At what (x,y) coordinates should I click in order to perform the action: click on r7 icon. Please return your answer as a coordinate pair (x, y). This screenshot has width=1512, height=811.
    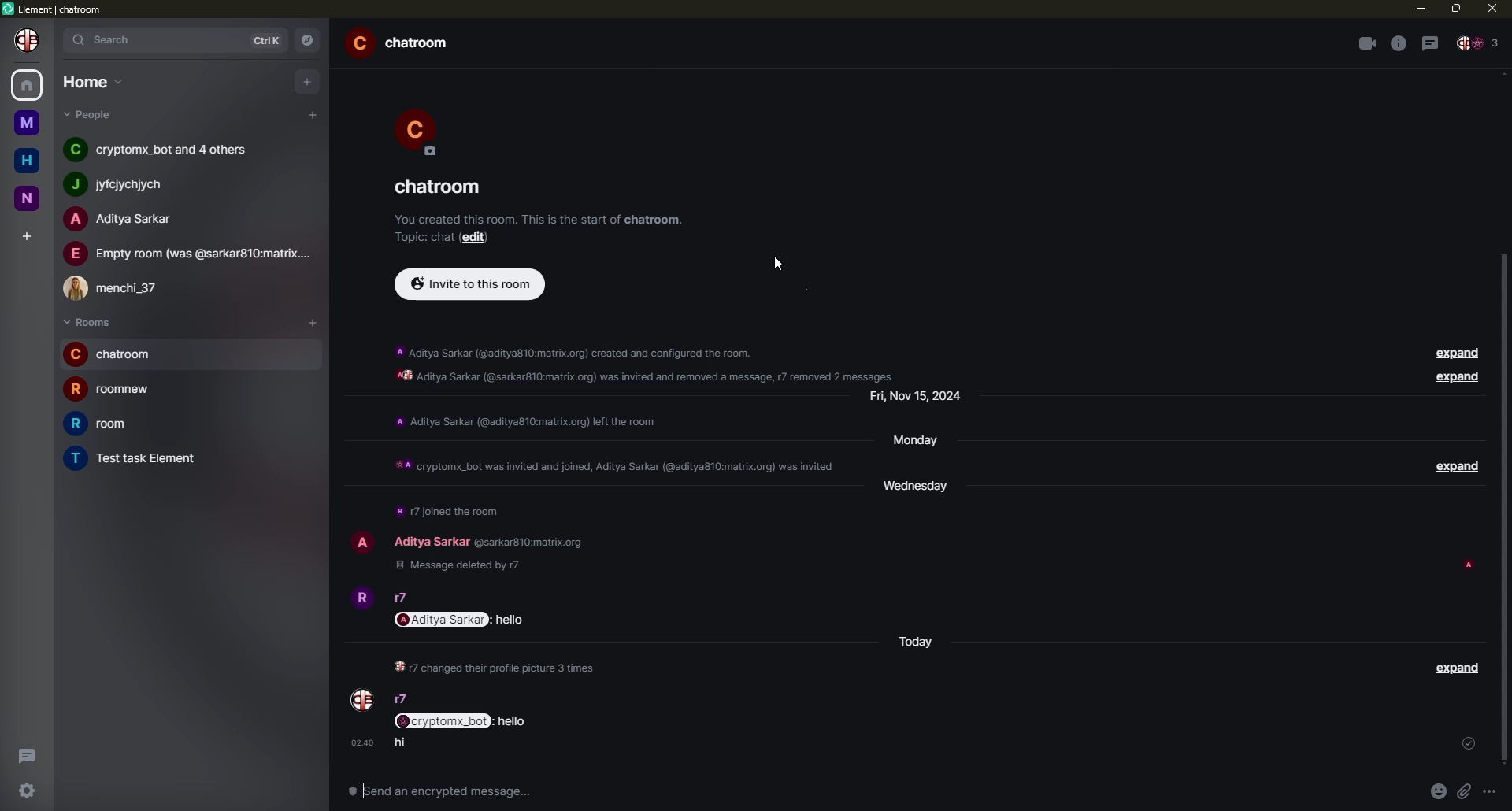
    Looking at the image, I should click on (362, 700).